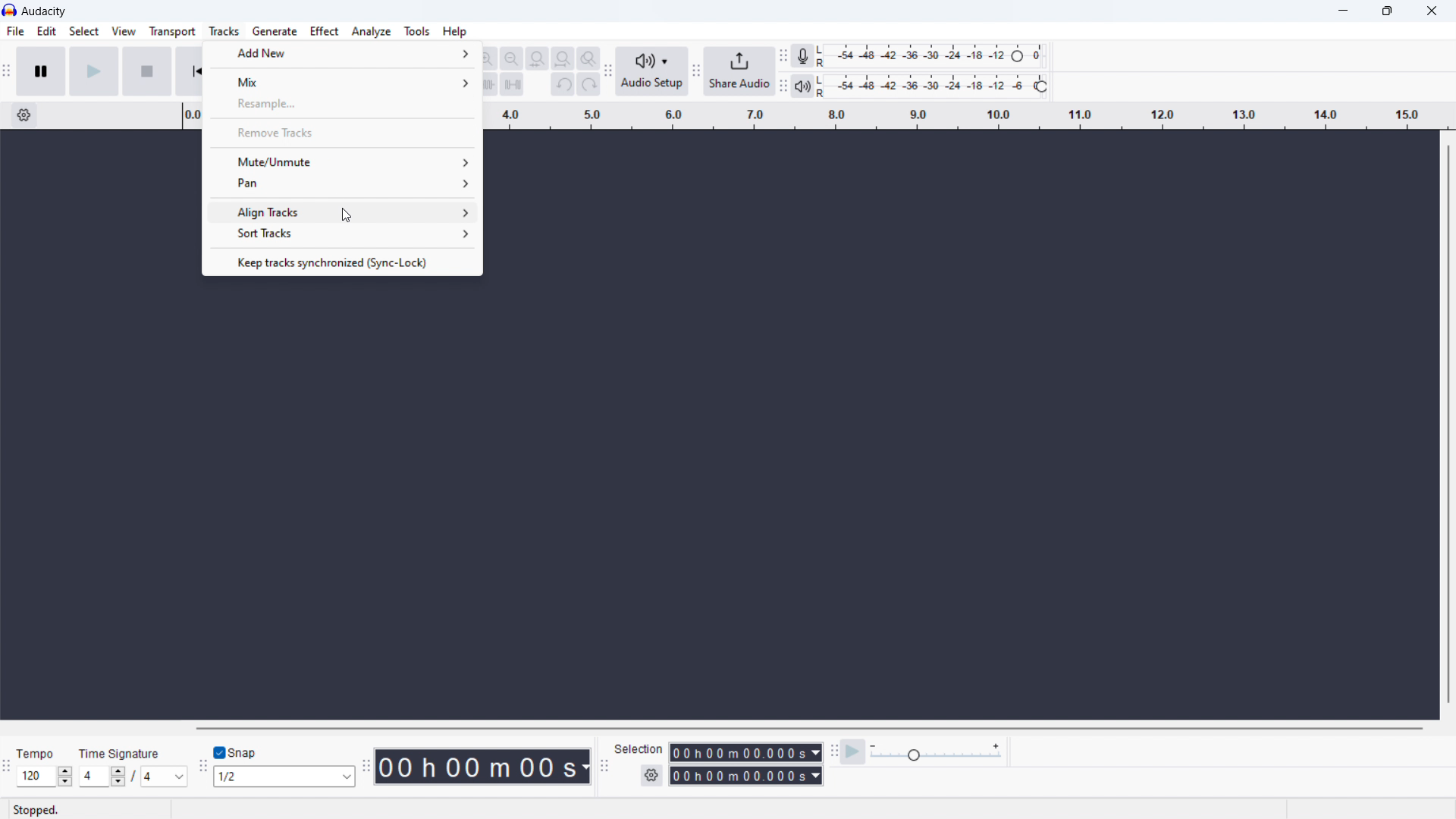 This screenshot has height=819, width=1456. Describe the element at coordinates (344, 213) in the screenshot. I see `cursor` at that location.